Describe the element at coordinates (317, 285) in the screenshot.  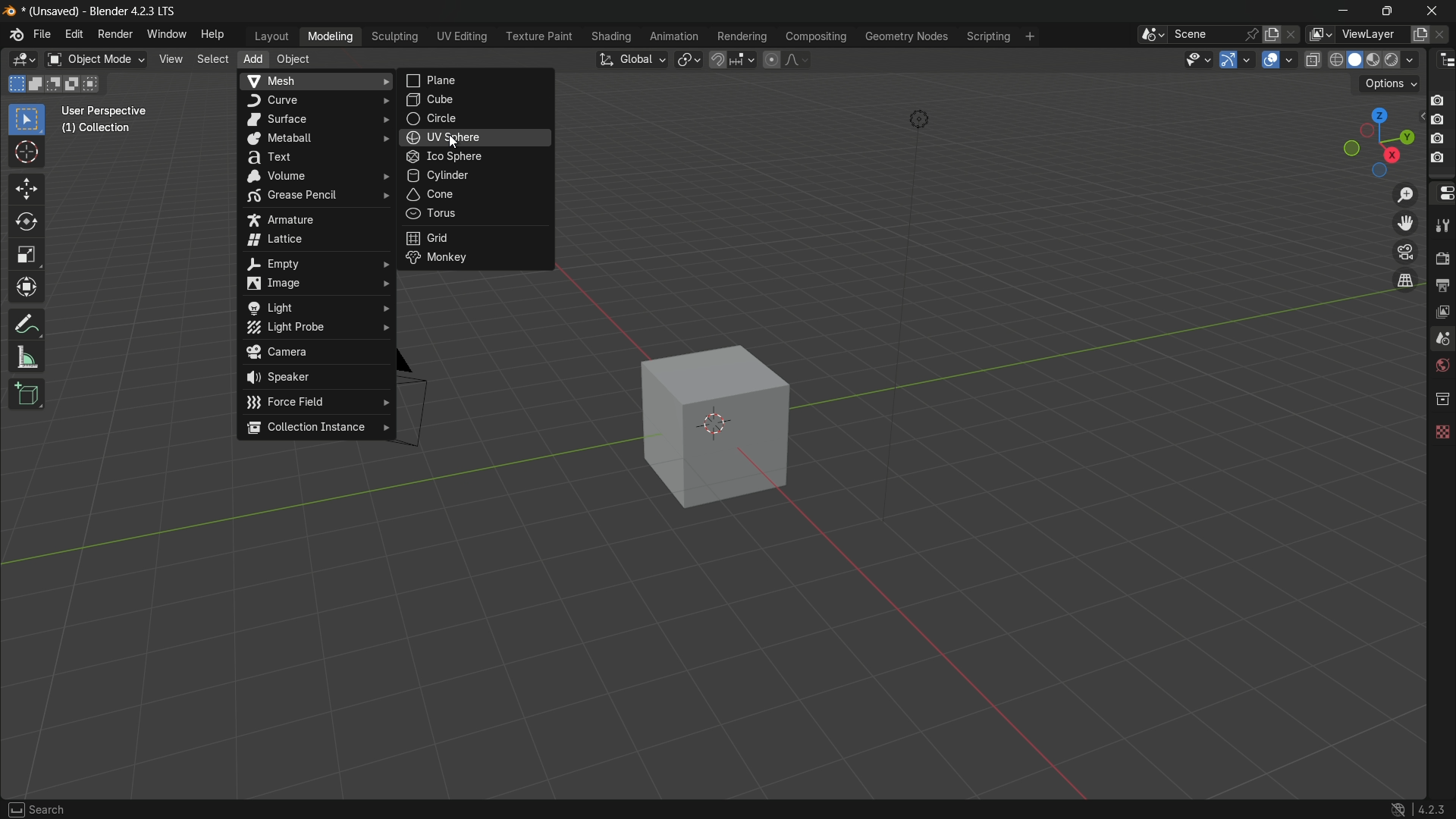
I see `image` at that location.